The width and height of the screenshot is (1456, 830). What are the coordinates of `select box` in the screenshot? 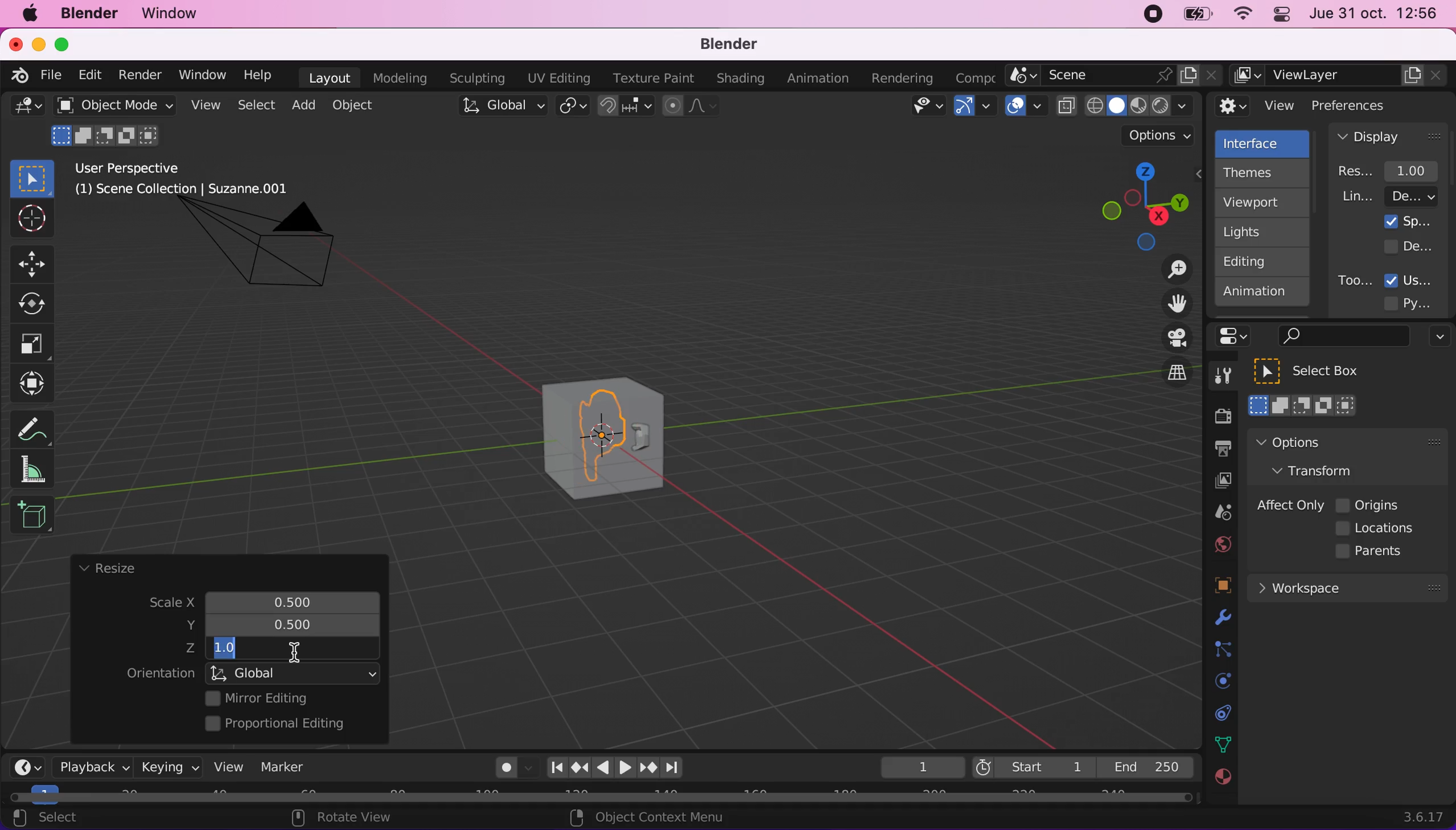 It's located at (32, 178).